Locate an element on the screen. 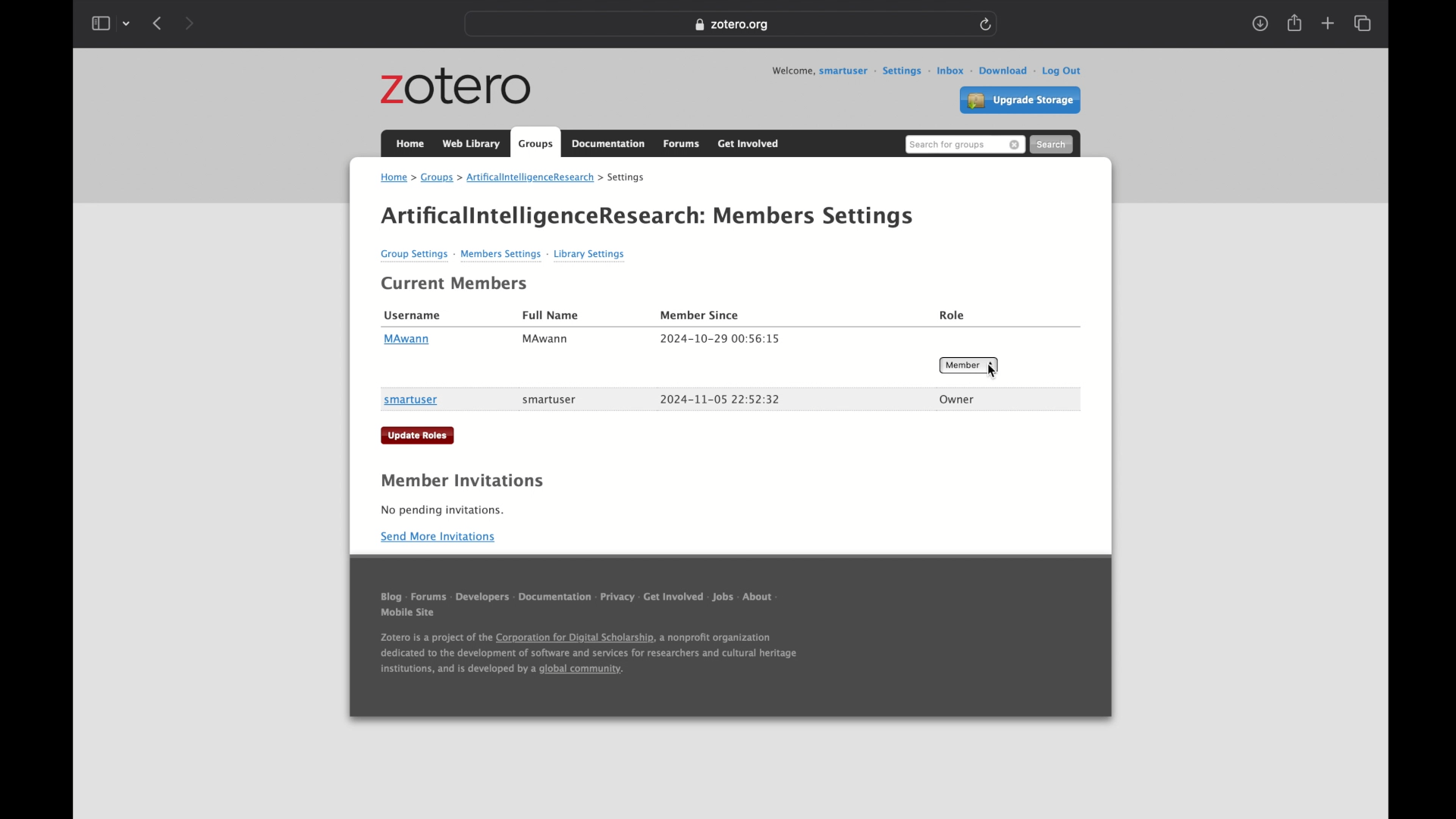 This screenshot has height=819, width=1456. forward is located at coordinates (189, 24).